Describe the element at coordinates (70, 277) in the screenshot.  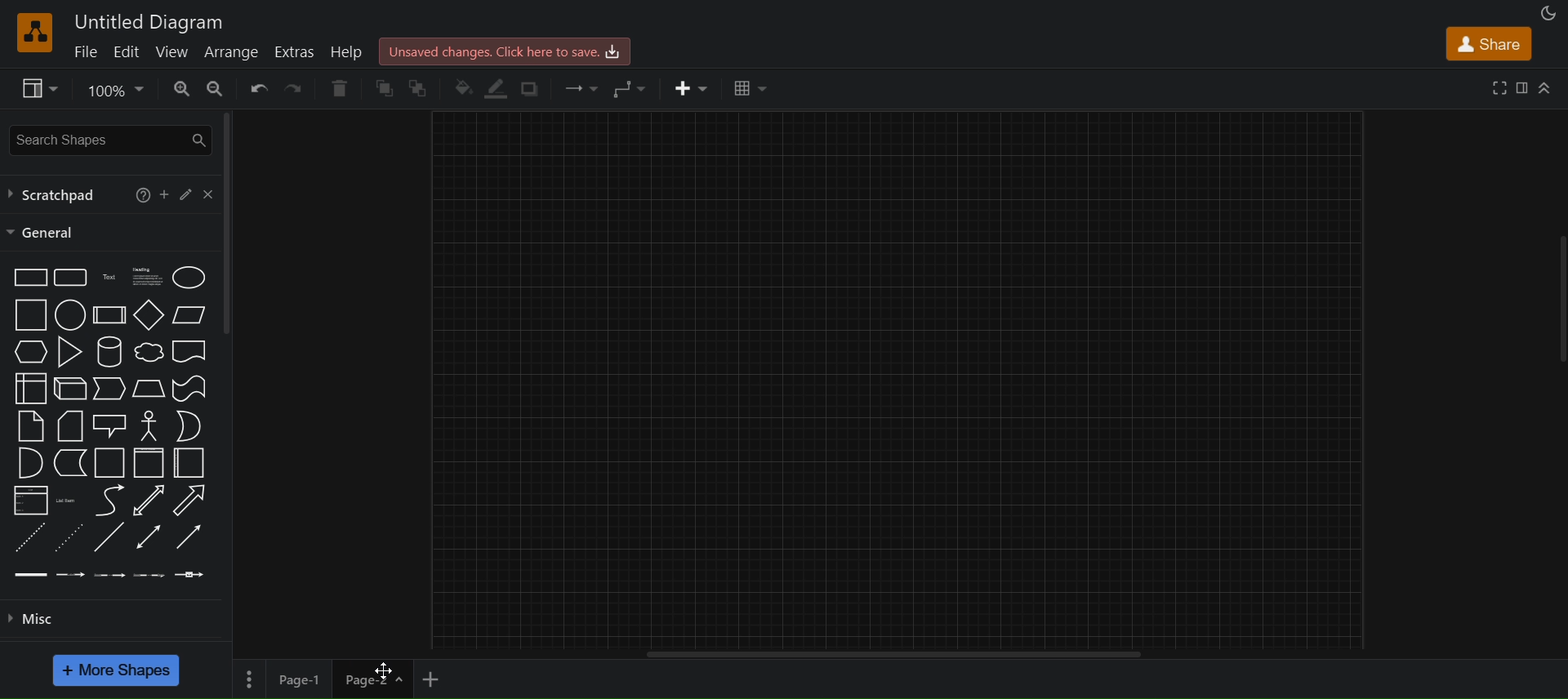
I see `rounded rectangle` at that location.